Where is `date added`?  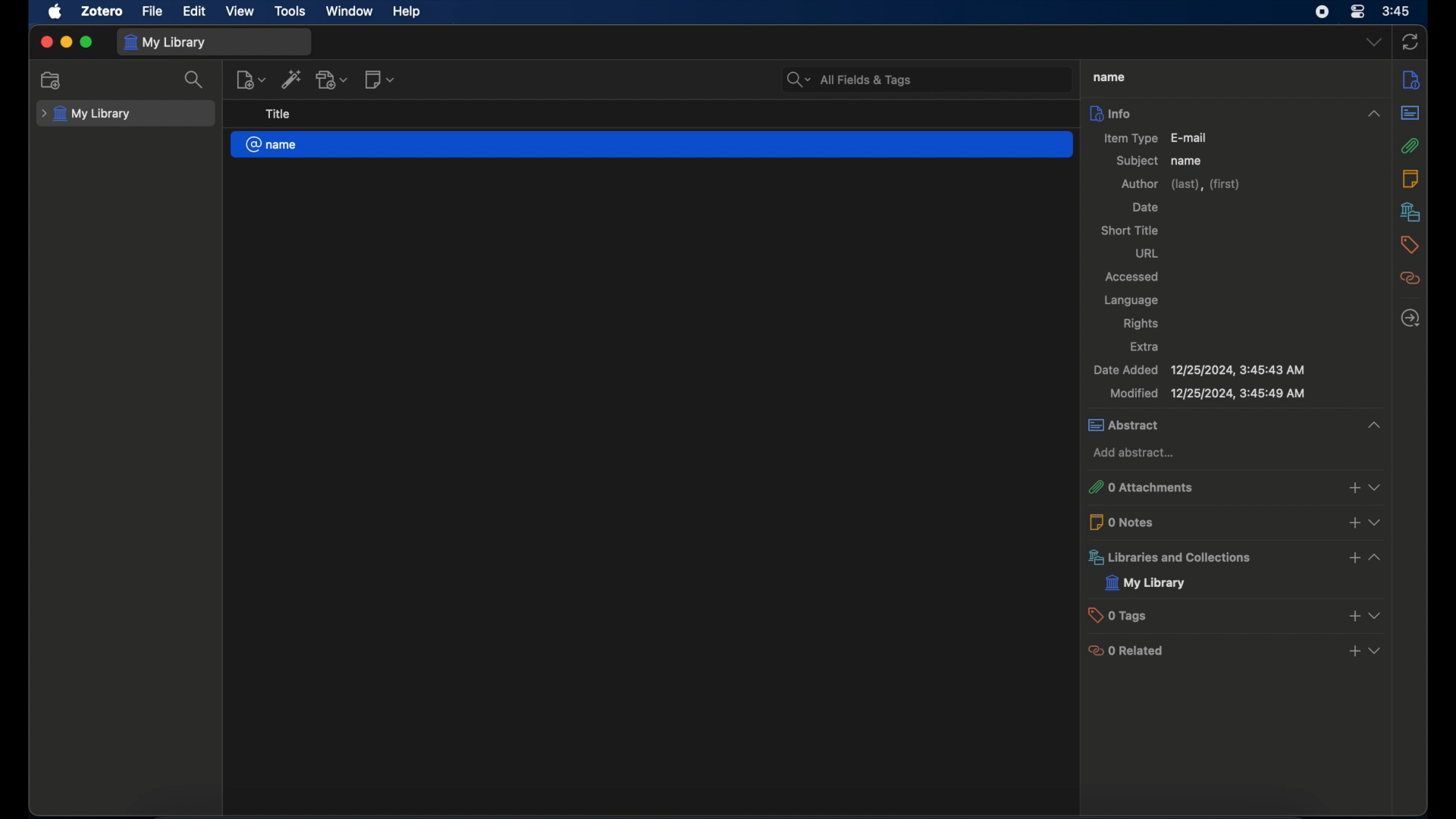
date added is located at coordinates (1200, 370).